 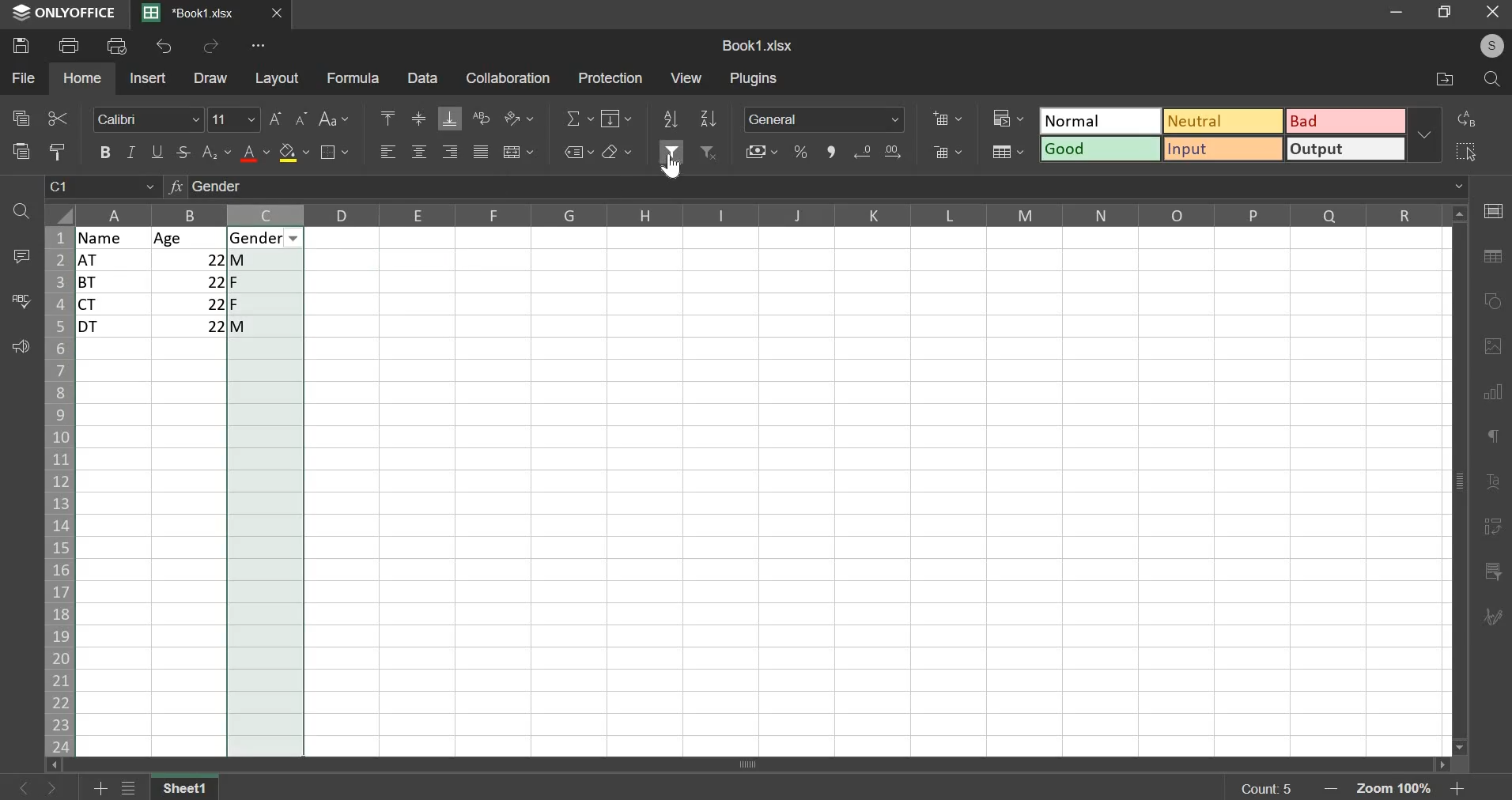 I want to click on print preview, so click(x=117, y=44).